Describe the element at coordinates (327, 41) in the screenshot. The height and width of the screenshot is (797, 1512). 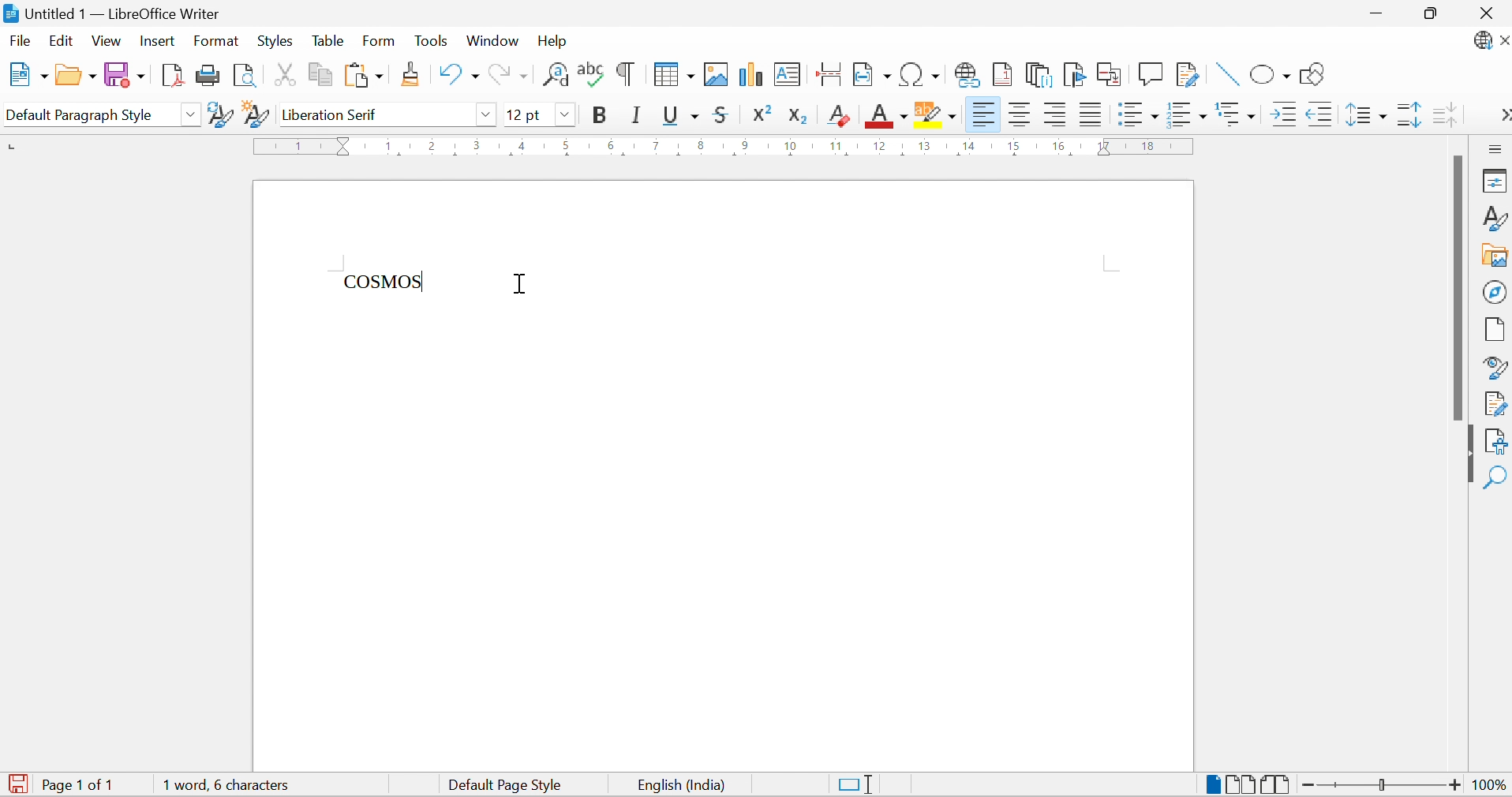
I see `Table` at that location.